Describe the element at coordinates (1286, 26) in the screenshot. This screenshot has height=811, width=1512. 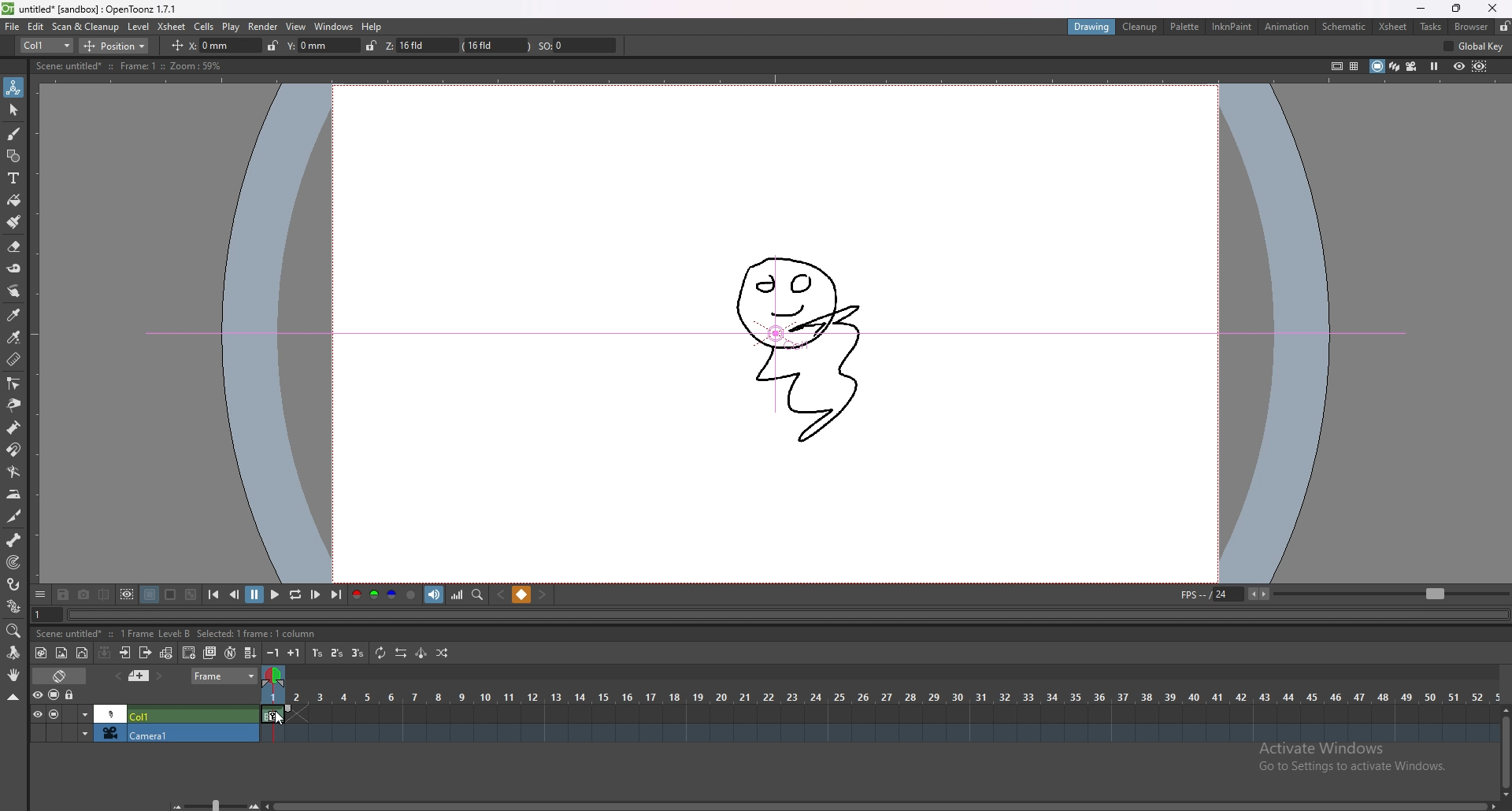
I see `animation` at that location.